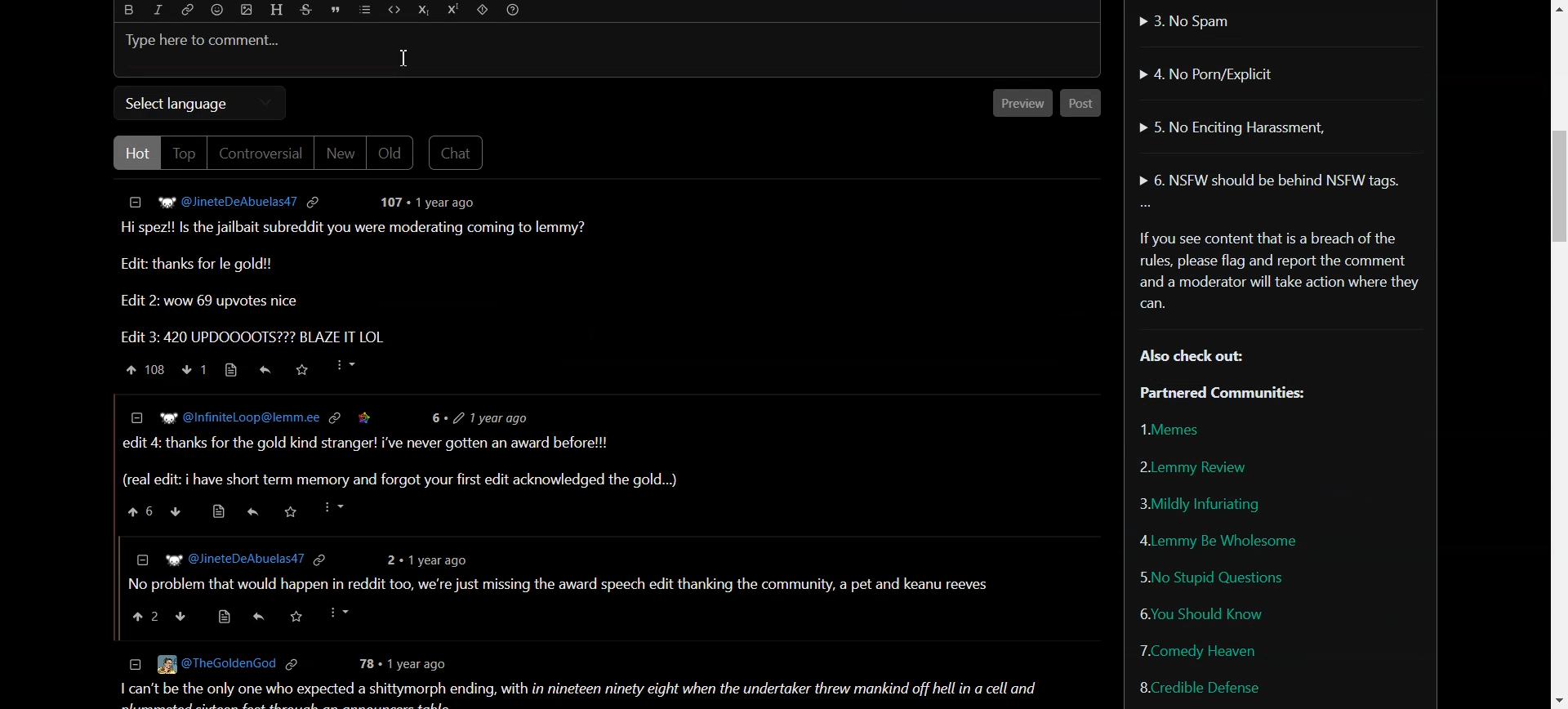 The height and width of the screenshot is (709, 1568). I want to click on Edit 2: wow 69 upvotes nice, so click(243, 301).